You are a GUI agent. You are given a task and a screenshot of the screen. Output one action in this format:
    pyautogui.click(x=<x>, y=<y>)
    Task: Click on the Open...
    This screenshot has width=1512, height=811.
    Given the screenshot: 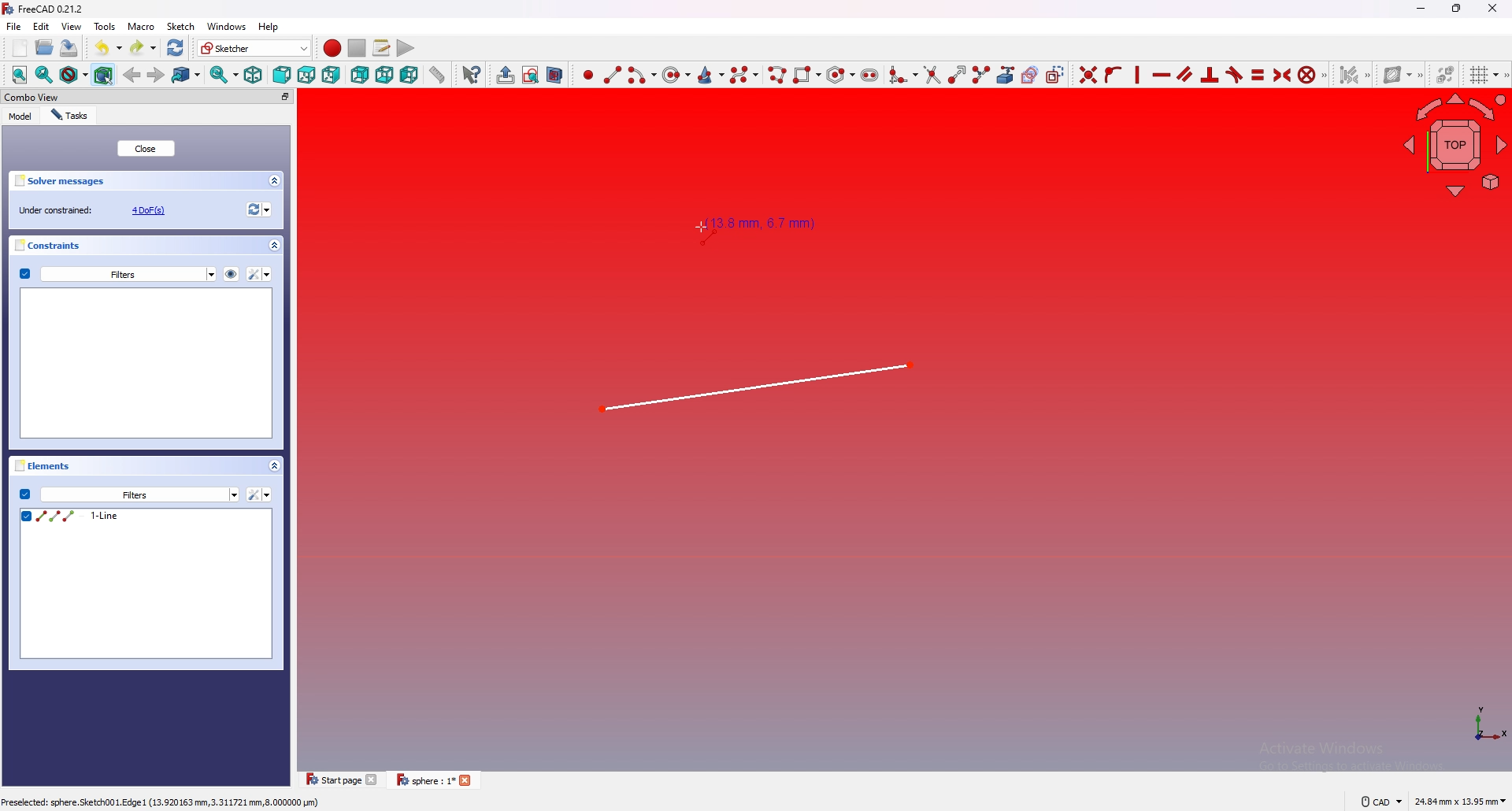 What is the action you would take?
    pyautogui.click(x=43, y=48)
    